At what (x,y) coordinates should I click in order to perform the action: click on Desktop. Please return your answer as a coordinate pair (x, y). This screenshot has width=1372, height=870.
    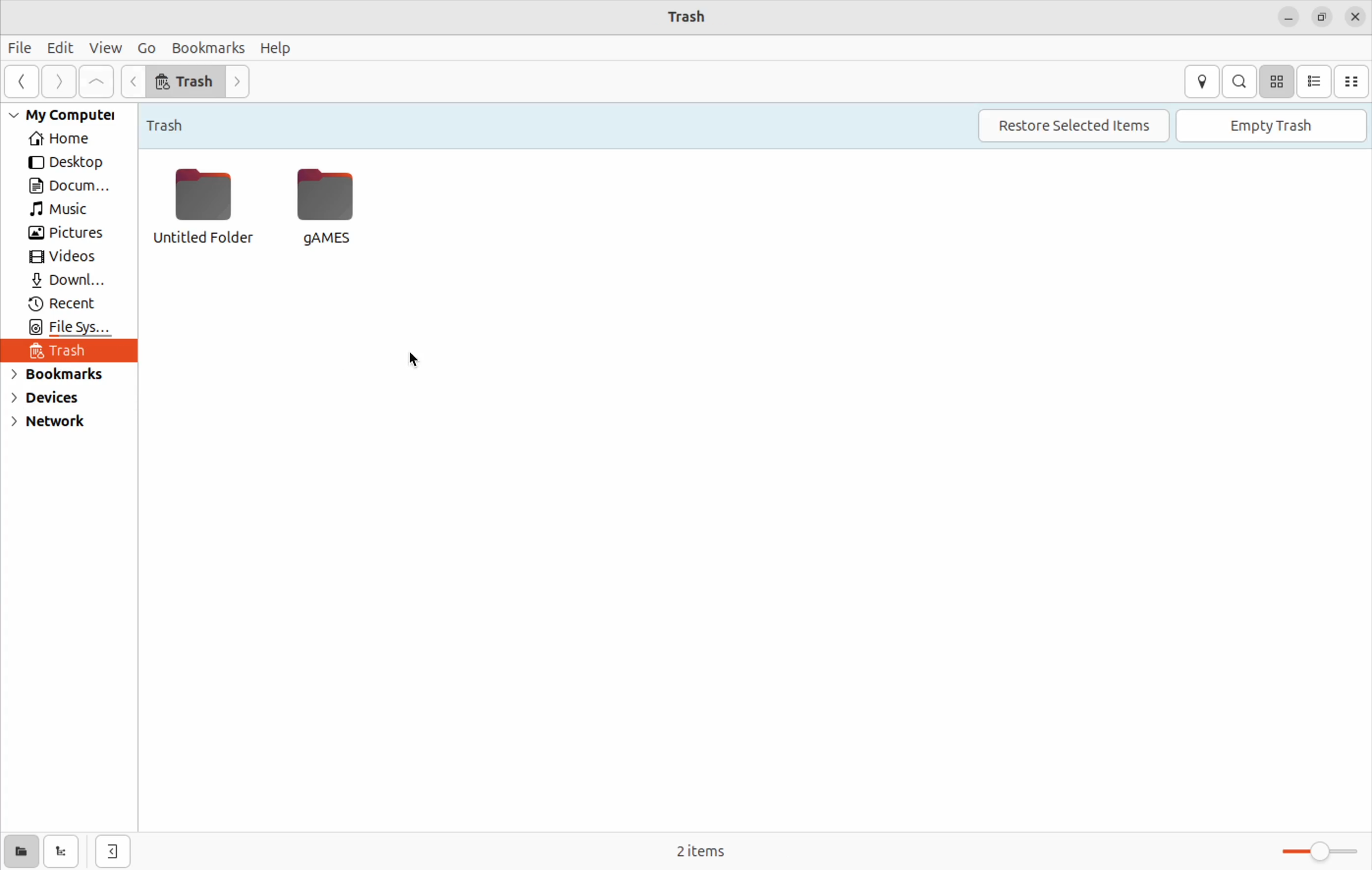
    Looking at the image, I should click on (62, 162).